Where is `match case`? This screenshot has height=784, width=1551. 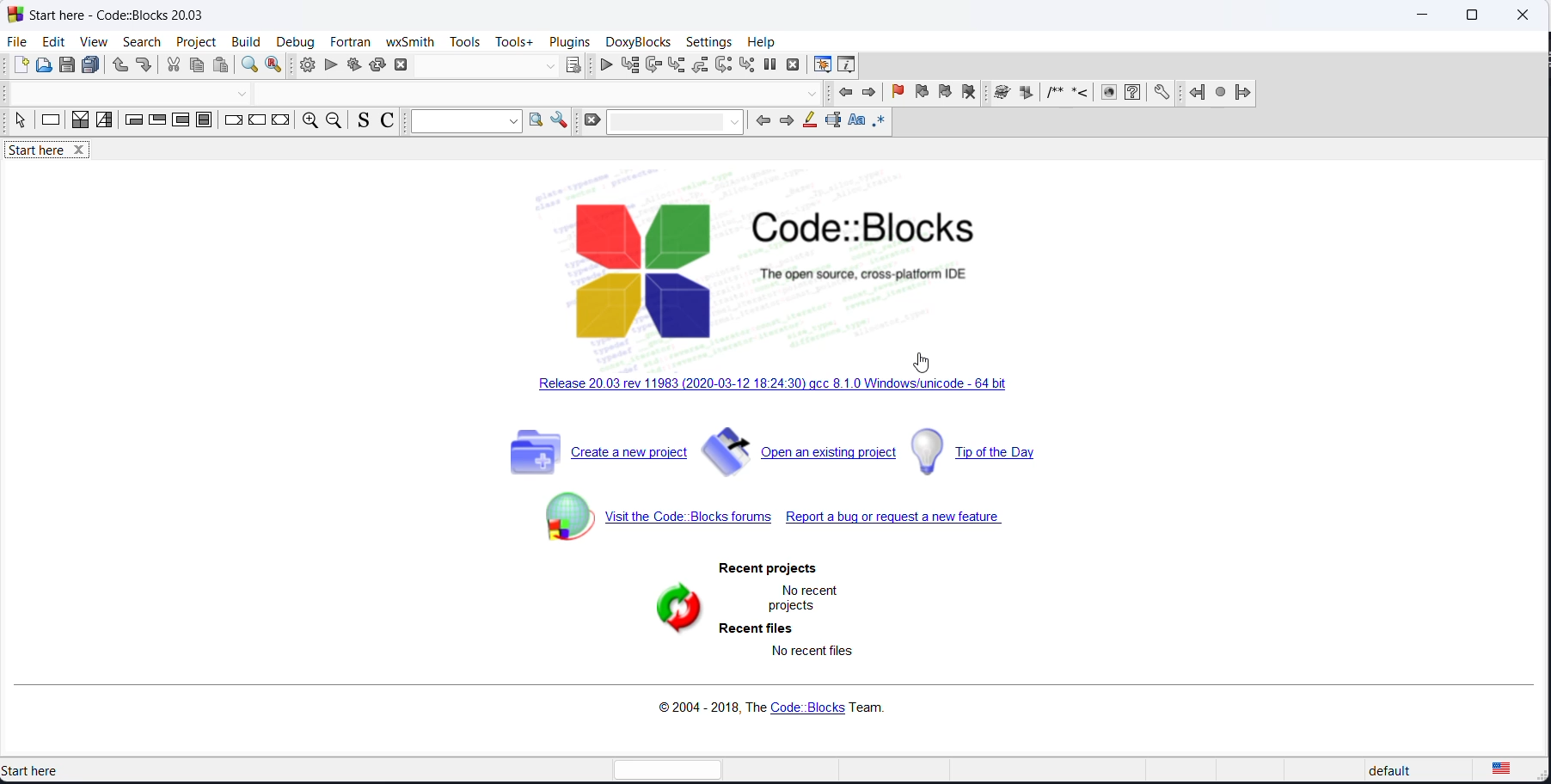
match case is located at coordinates (856, 123).